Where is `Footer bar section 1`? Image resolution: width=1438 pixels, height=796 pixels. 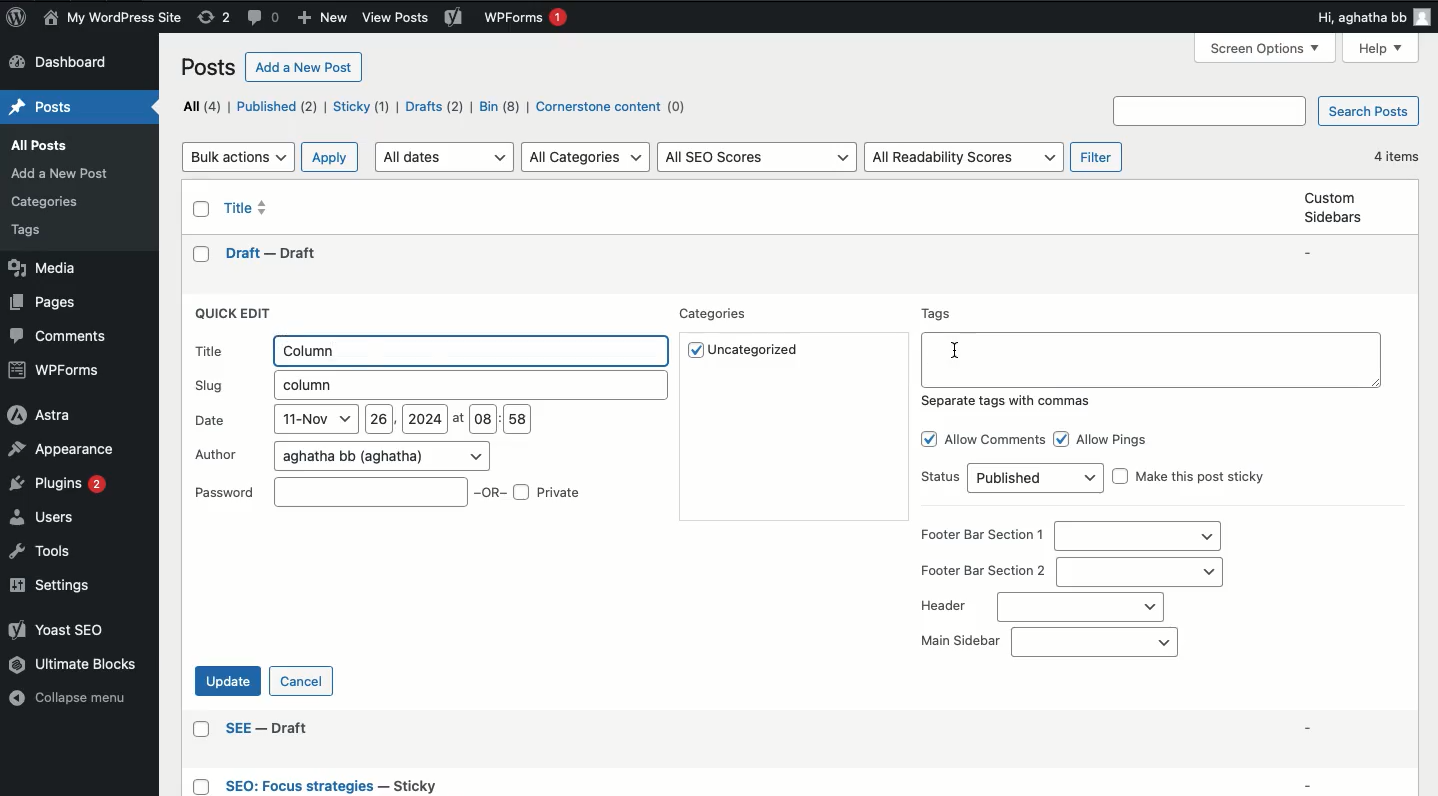
Footer bar section 1 is located at coordinates (1069, 537).